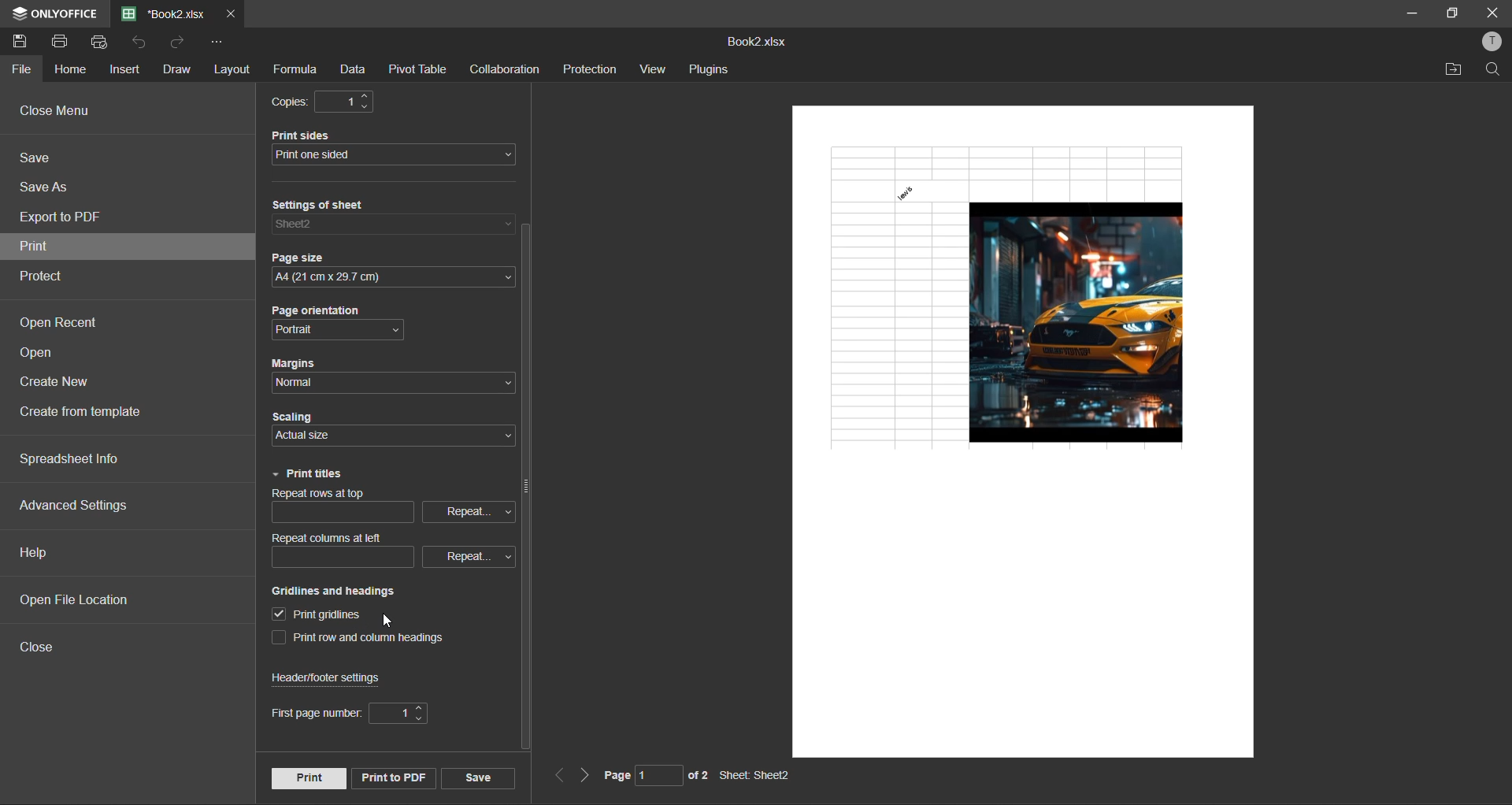  I want to click on actual size, so click(310, 438).